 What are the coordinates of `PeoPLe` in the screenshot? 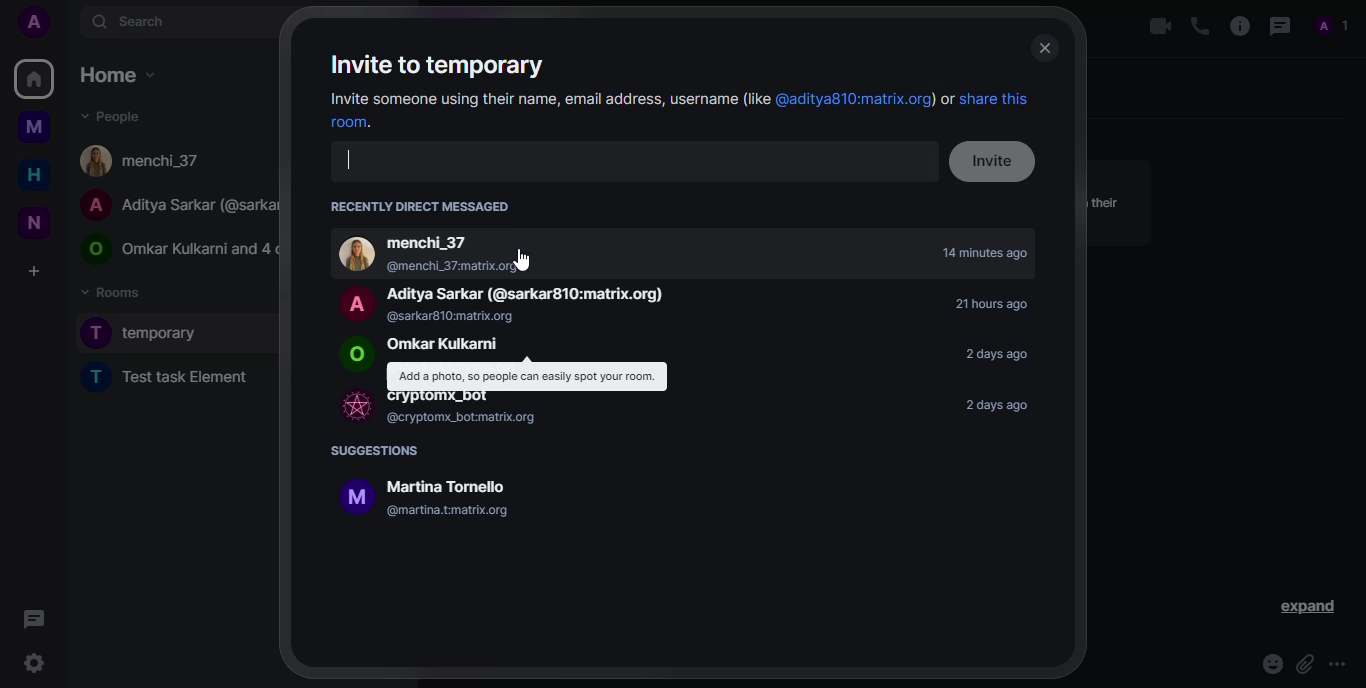 It's located at (174, 203).